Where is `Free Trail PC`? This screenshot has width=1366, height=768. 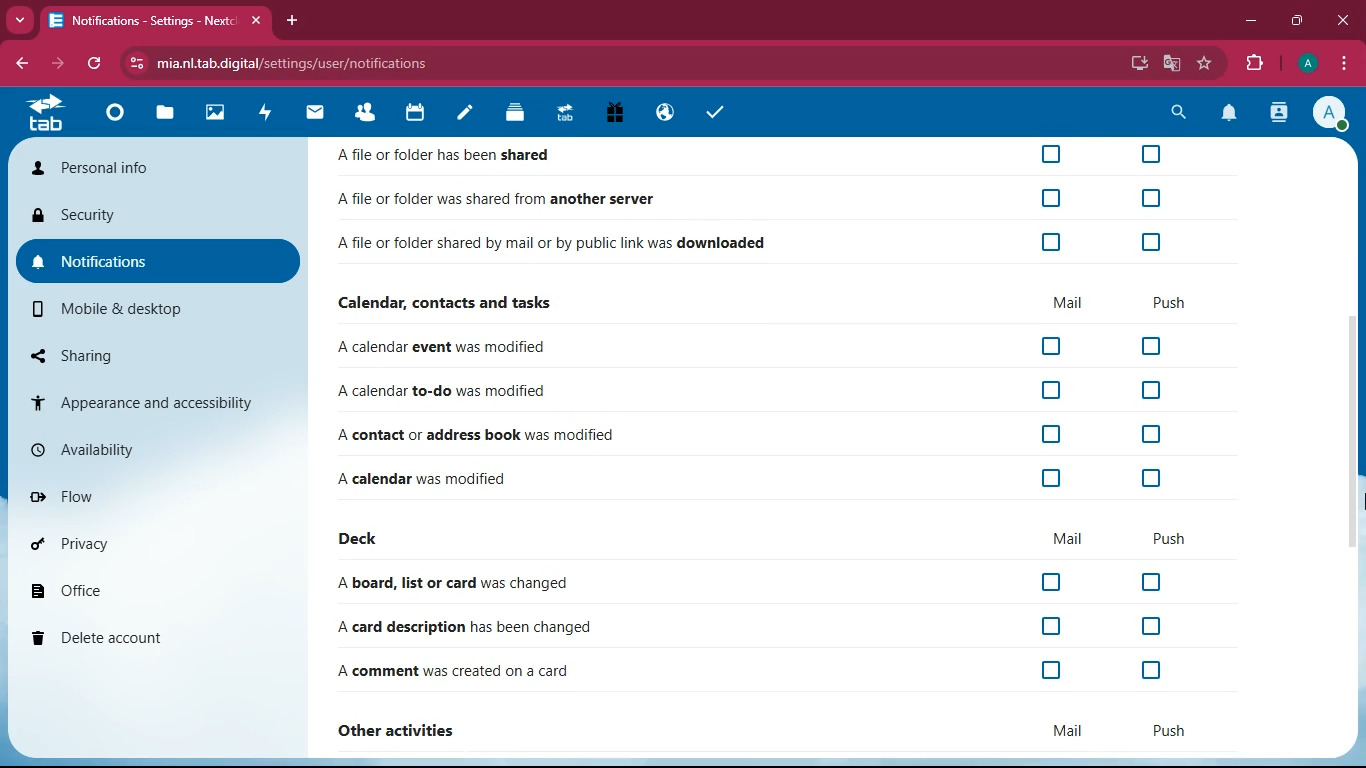
Free Trail PC is located at coordinates (614, 114).